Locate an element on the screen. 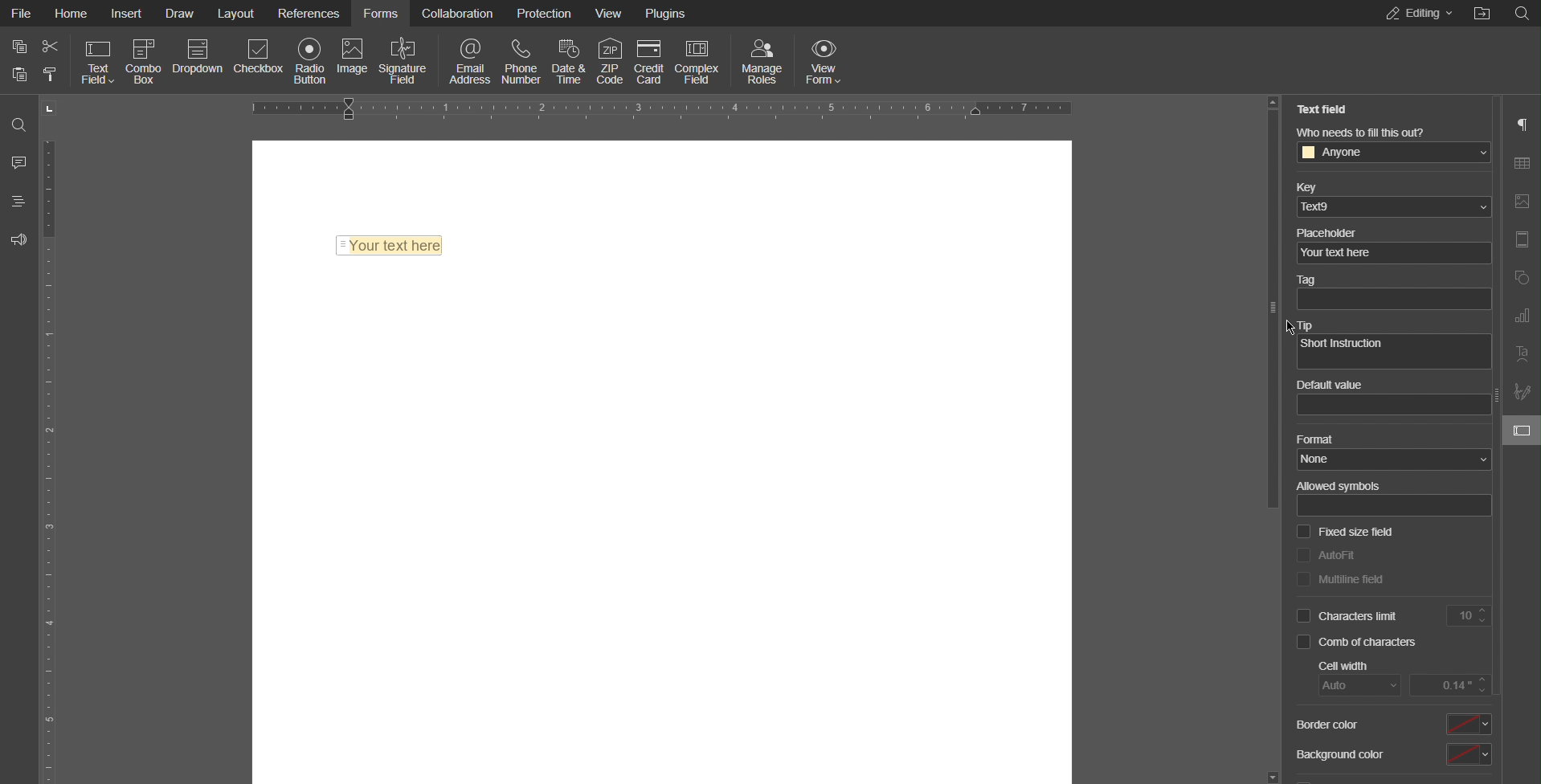 The height and width of the screenshot is (784, 1541). Collaboration is located at coordinates (458, 12).